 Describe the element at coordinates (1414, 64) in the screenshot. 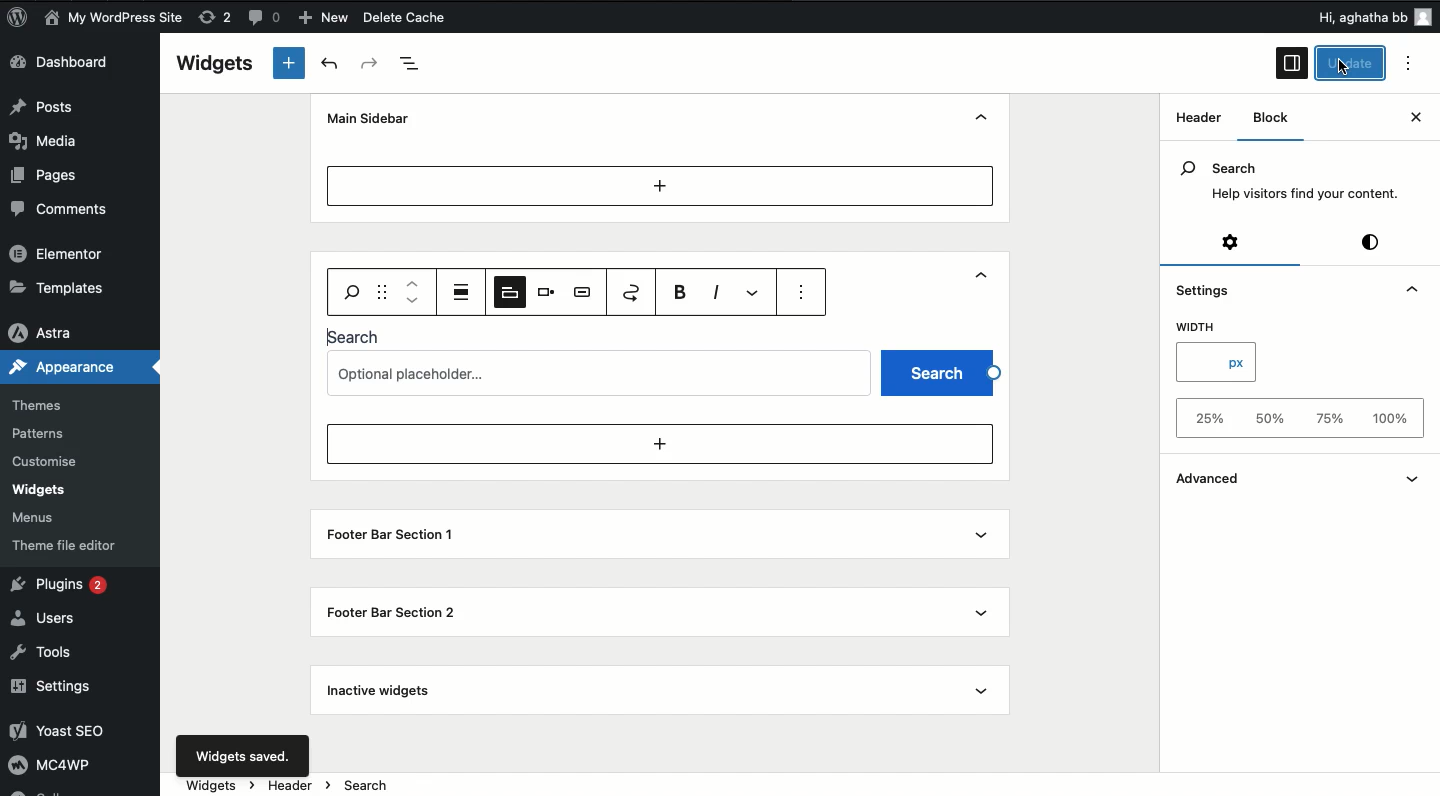

I see `Options` at that location.